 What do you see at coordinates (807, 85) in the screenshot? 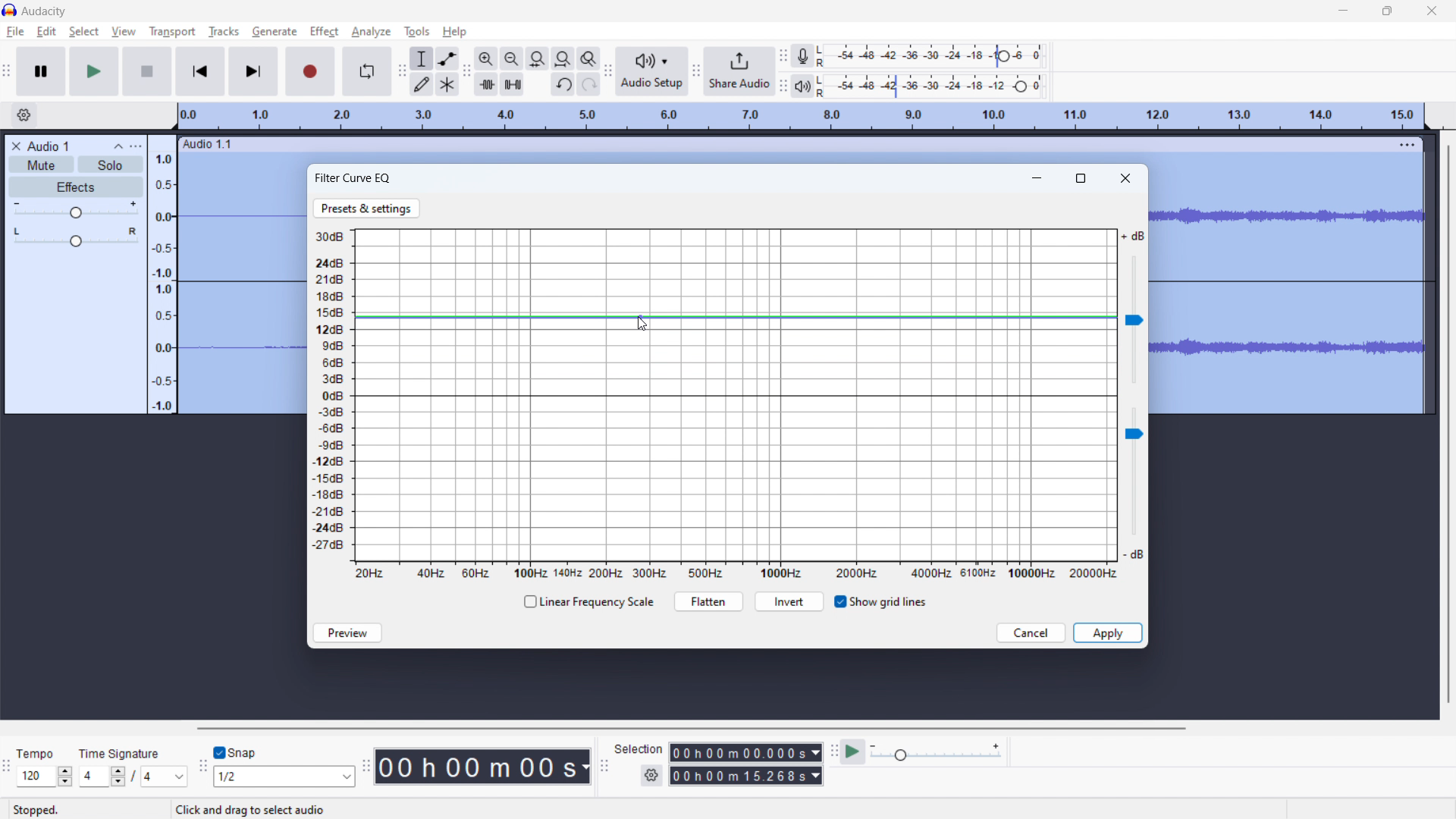
I see `playback meter` at bounding box center [807, 85].